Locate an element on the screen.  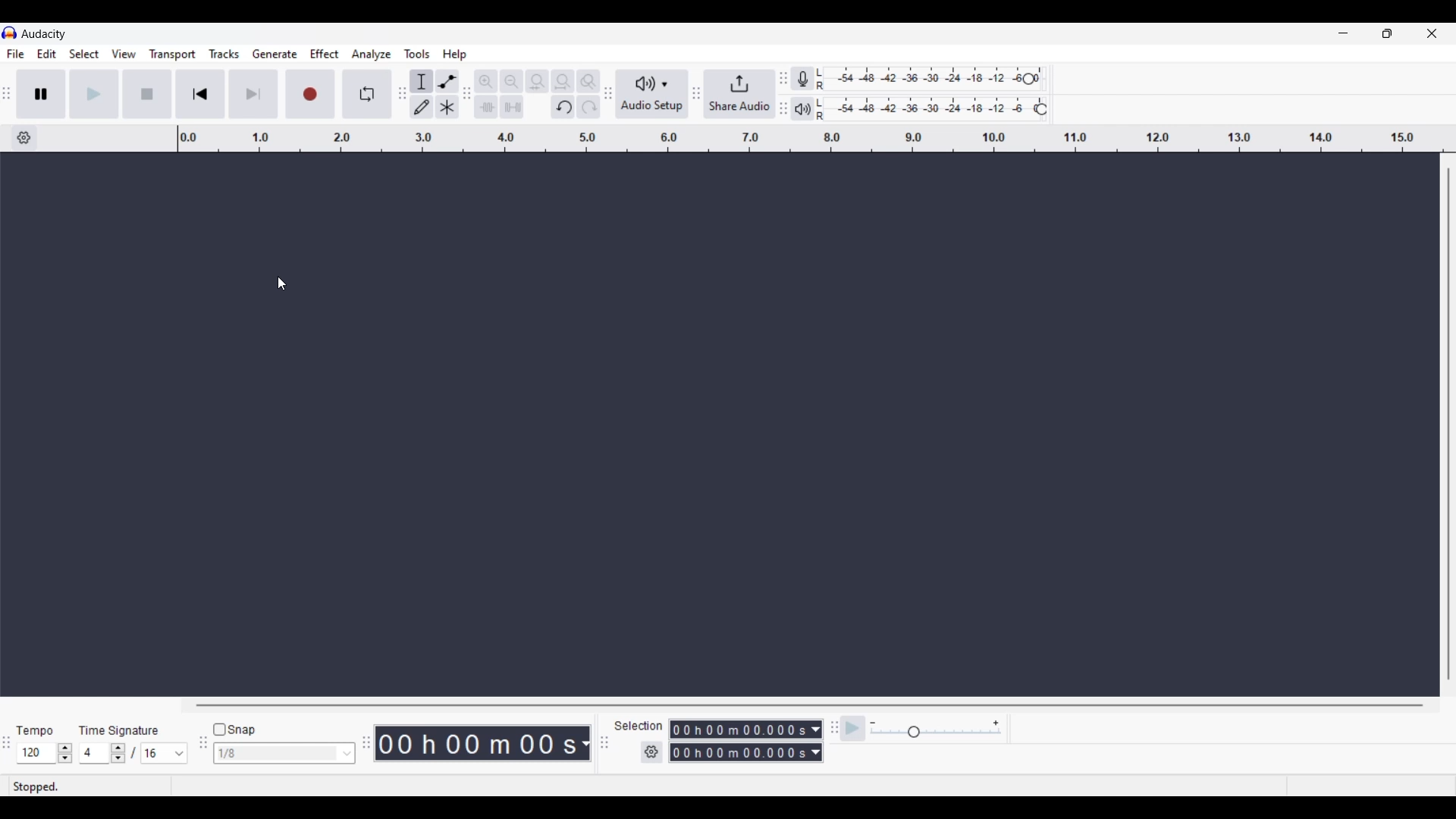
Record/Record new track is located at coordinates (311, 93).